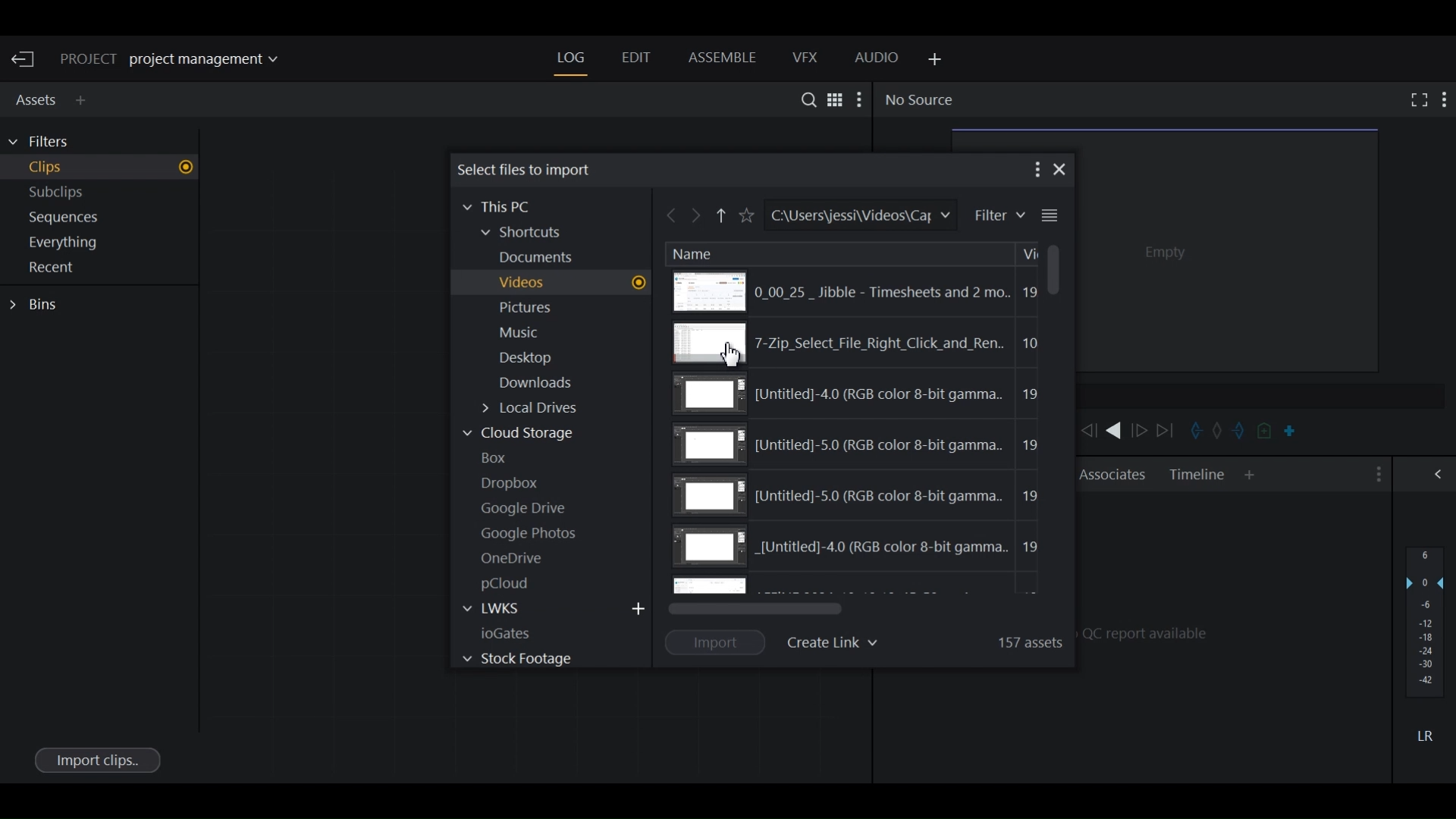 The width and height of the screenshot is (1456, 819). What do you see at coordinates (745, 216) in the screenshot?
I see `Add/Remove folder as a favorite` at bounding box center [745, 216].